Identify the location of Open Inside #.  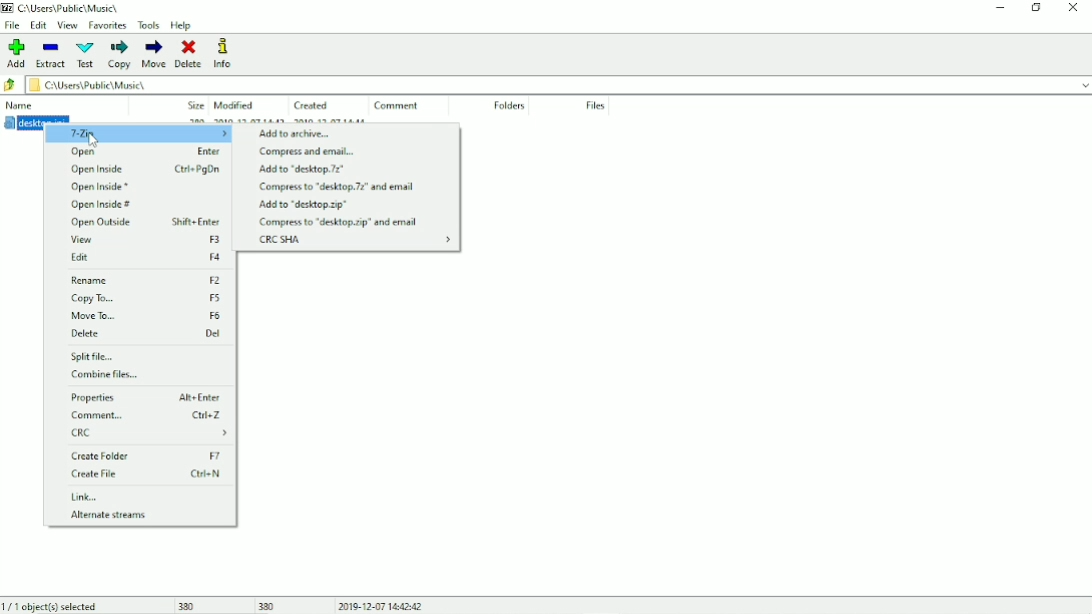
(104, 205).